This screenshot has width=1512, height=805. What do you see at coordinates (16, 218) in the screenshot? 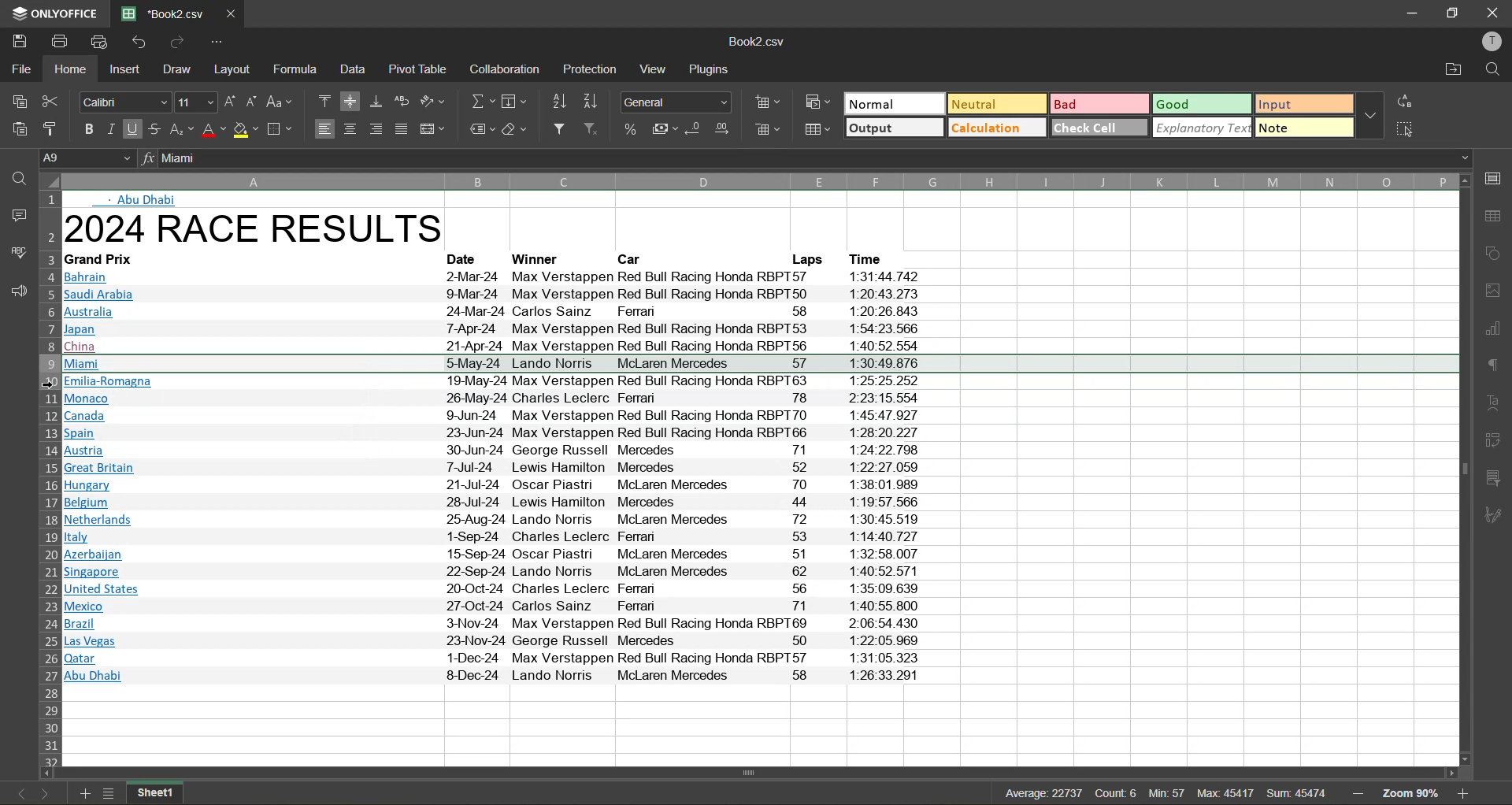
I see `comments` at bounding box center [16, 218].